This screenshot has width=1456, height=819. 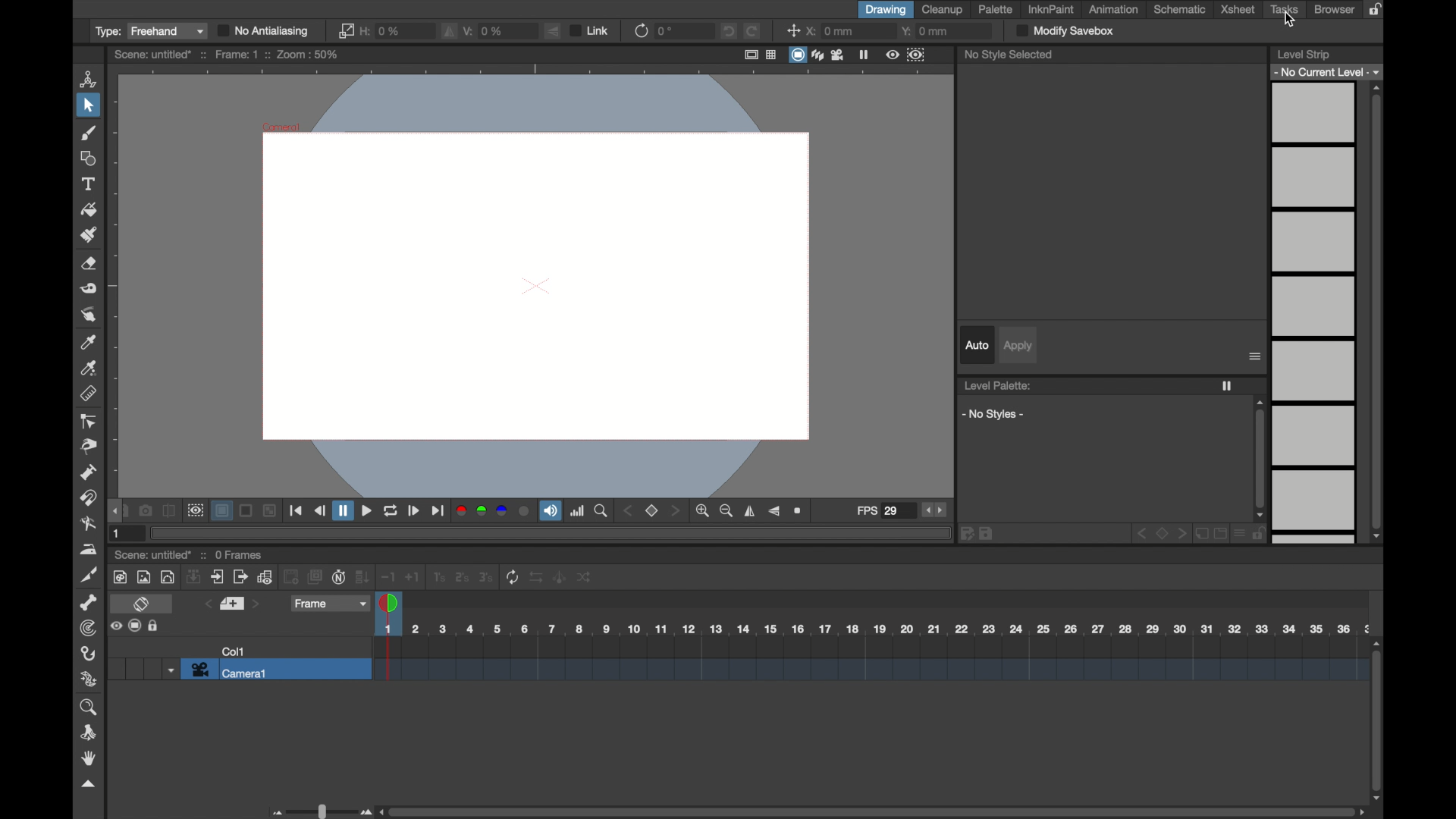 I want to click on freeze, so click(x=864, y=54).